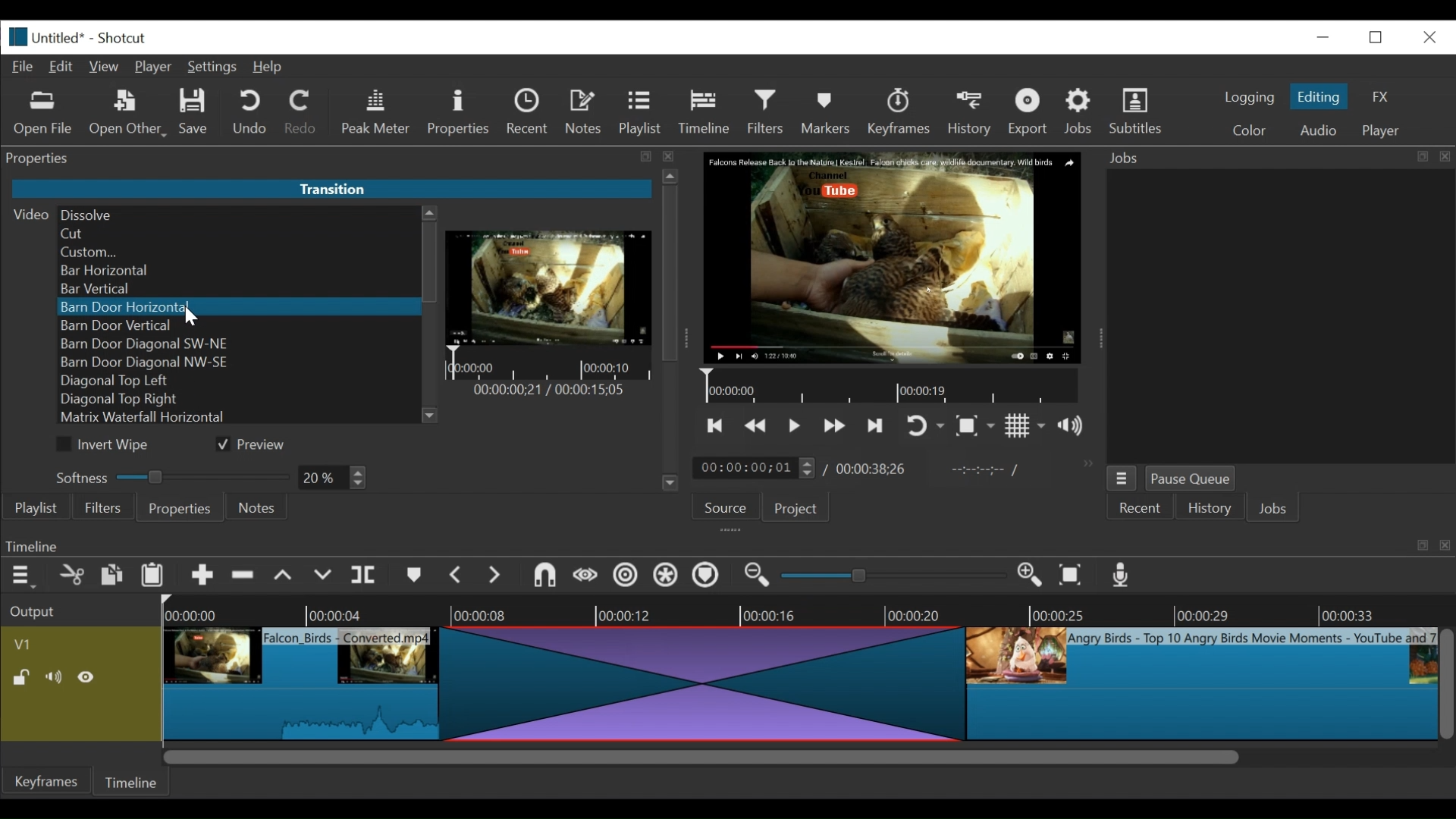 Image resolution: width=1456 pixels, height=819 pixels. I want to click on Mute, so click(57, 677).